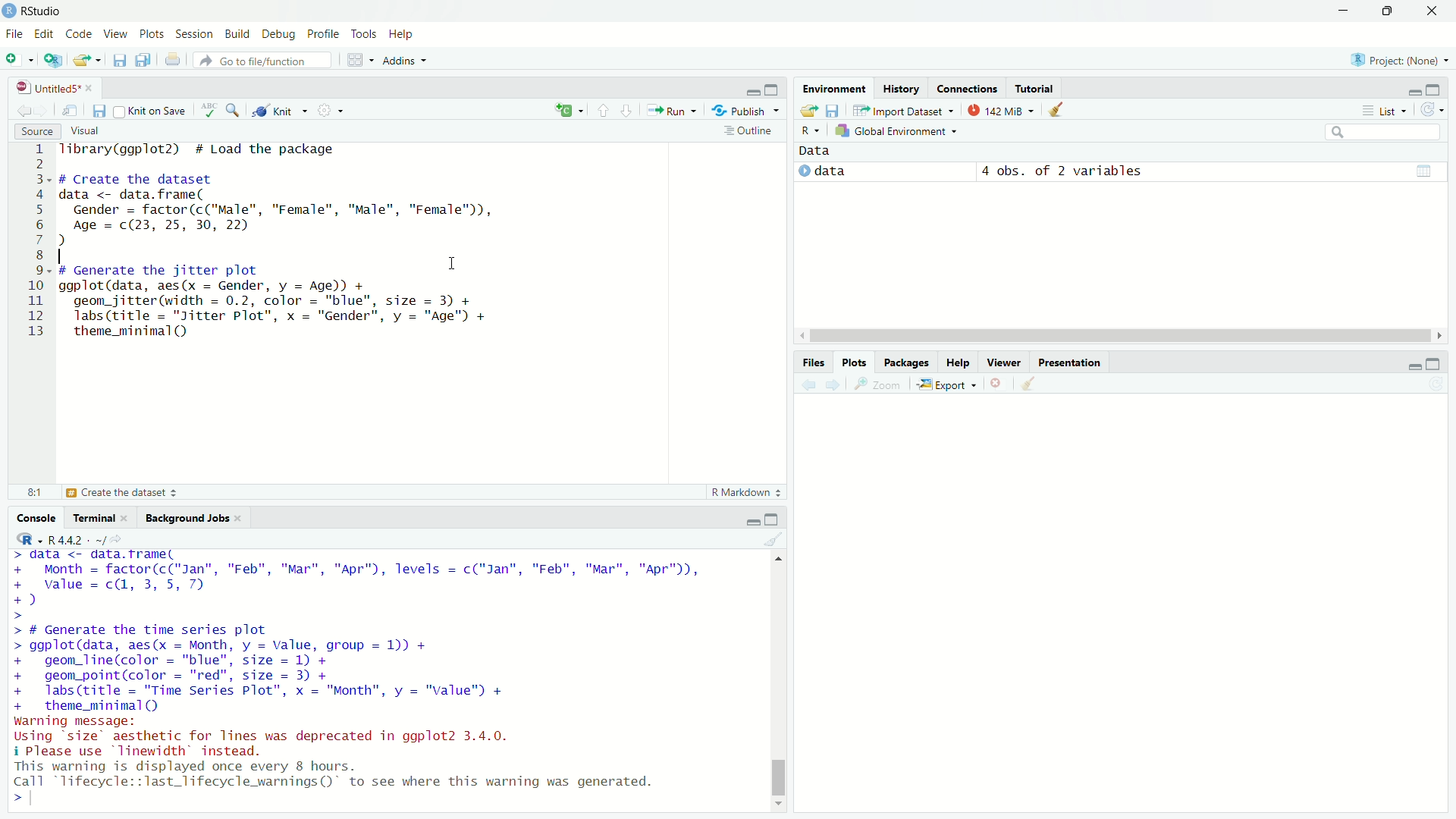  Describe the element at coordinates (30, 518) in the screenshot. I see `console` at that location.